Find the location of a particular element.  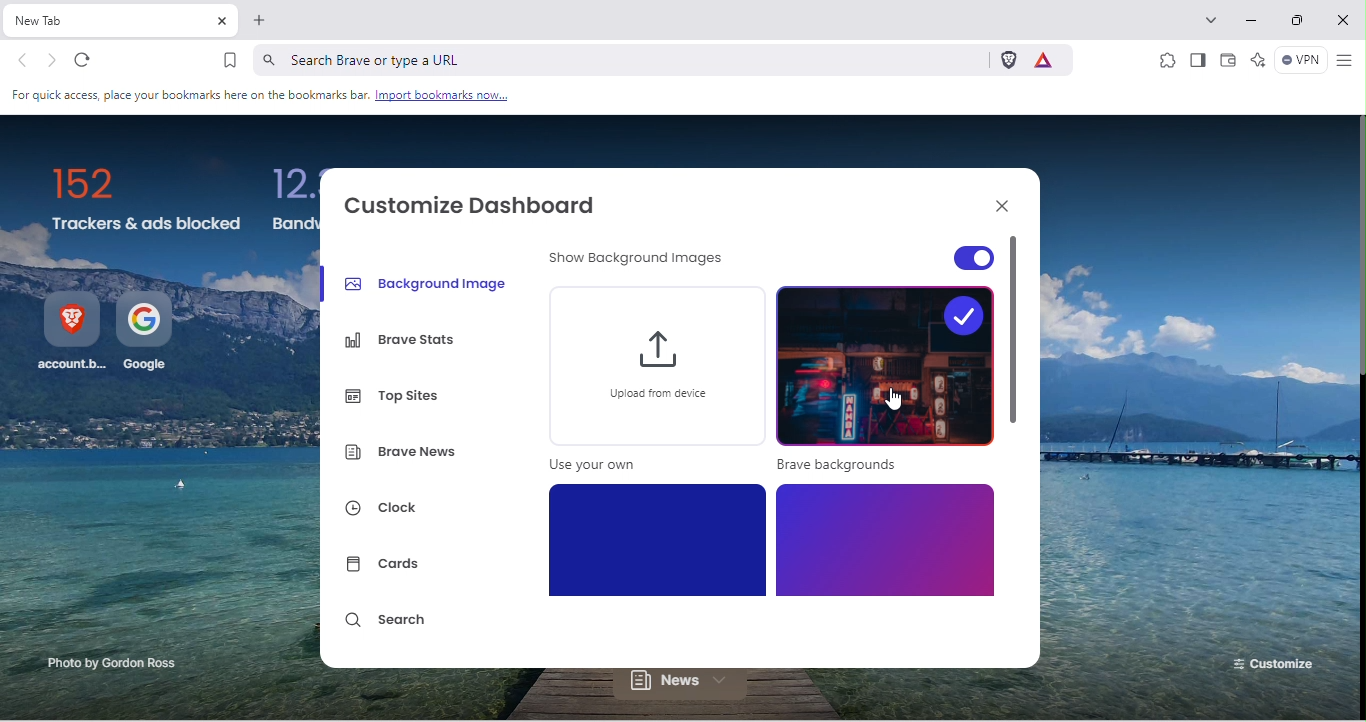

Leo AI is located at coordinates (1257, 61).